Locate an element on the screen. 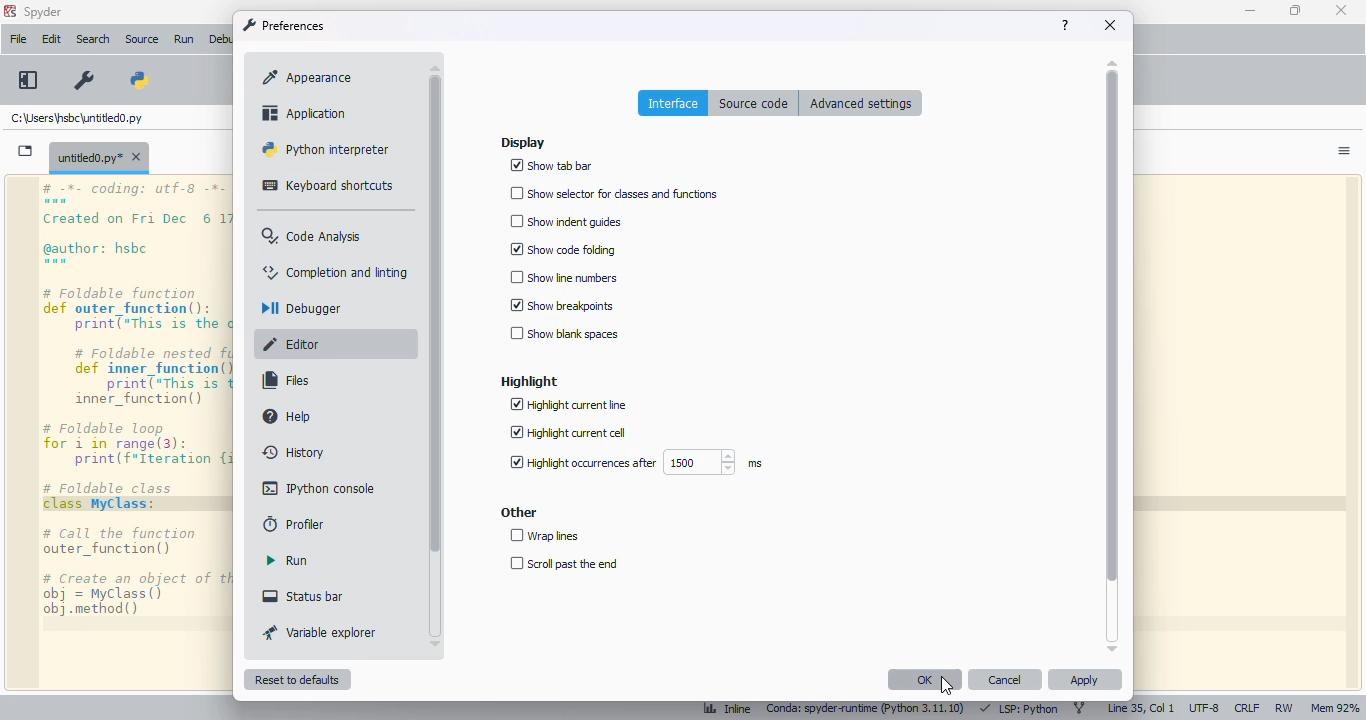 Image resolution: width=1366 pixels, height=720 pixels. code executing iteration till 3  is located at coordinates (138, 433).